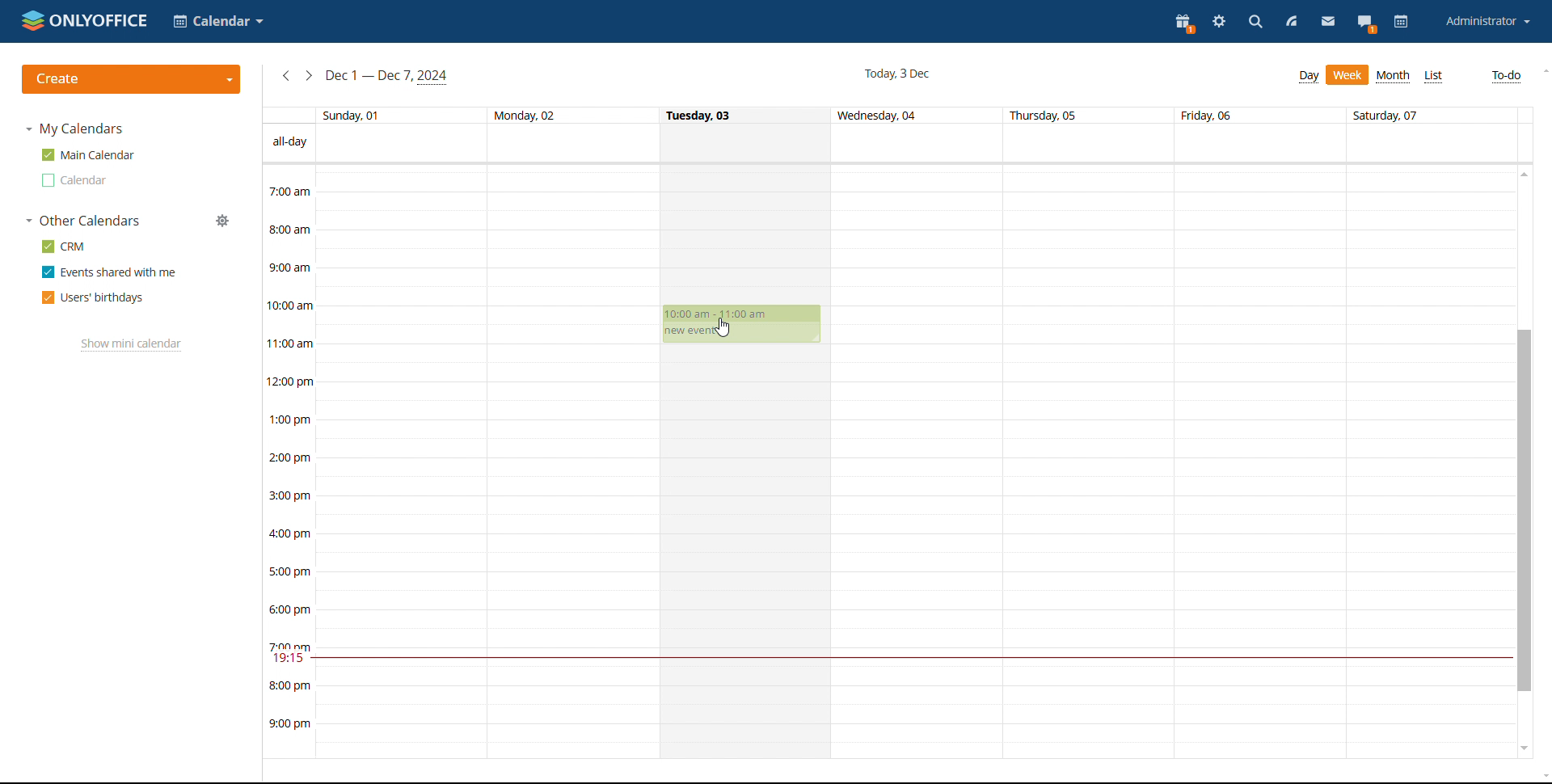 The width and height of the screenshot is (1552, 784). I want to click on 12:00 pm, so click(293, 381).